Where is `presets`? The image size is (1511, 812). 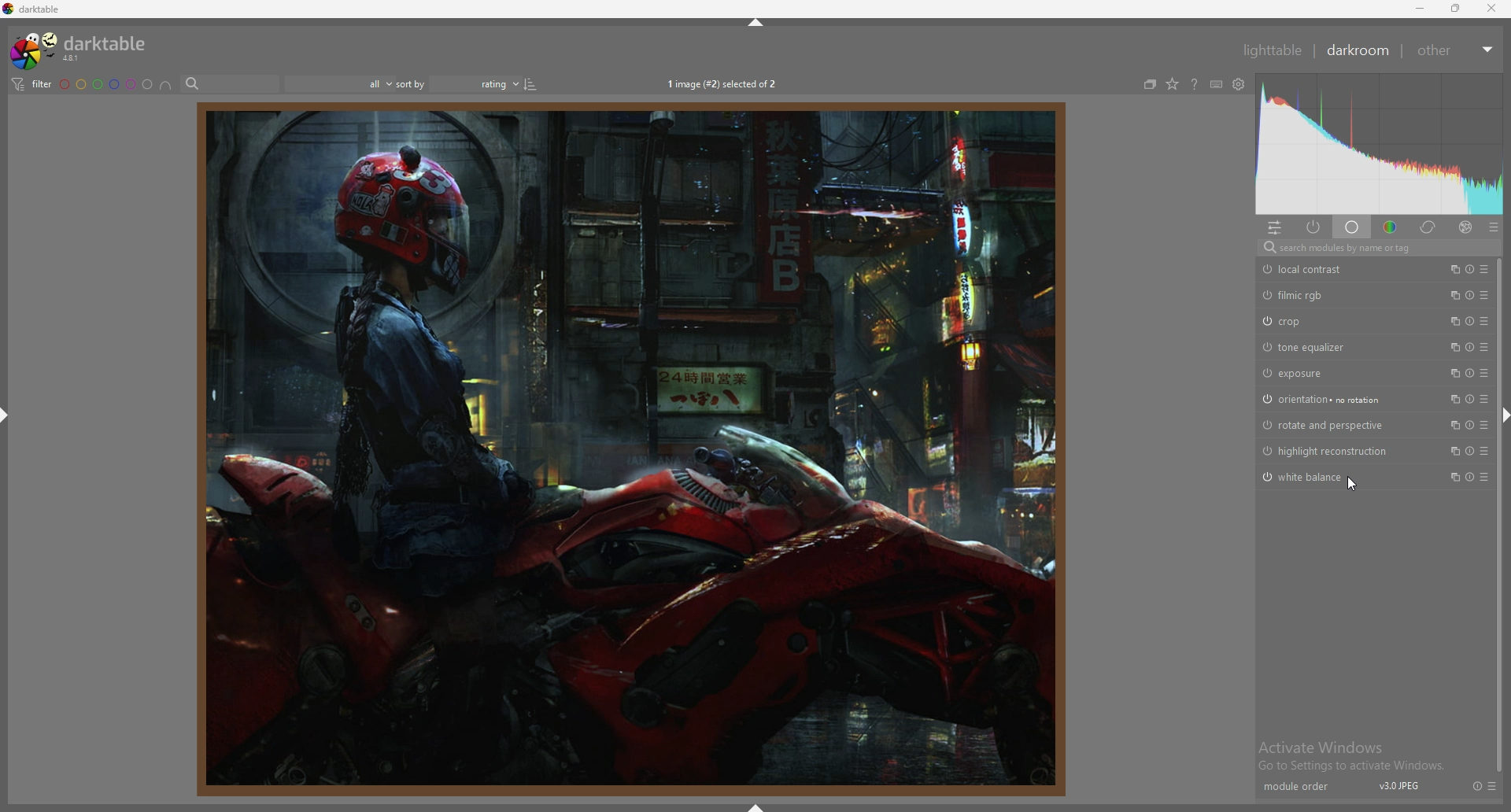 presets is located at coordinates (1494, 790).